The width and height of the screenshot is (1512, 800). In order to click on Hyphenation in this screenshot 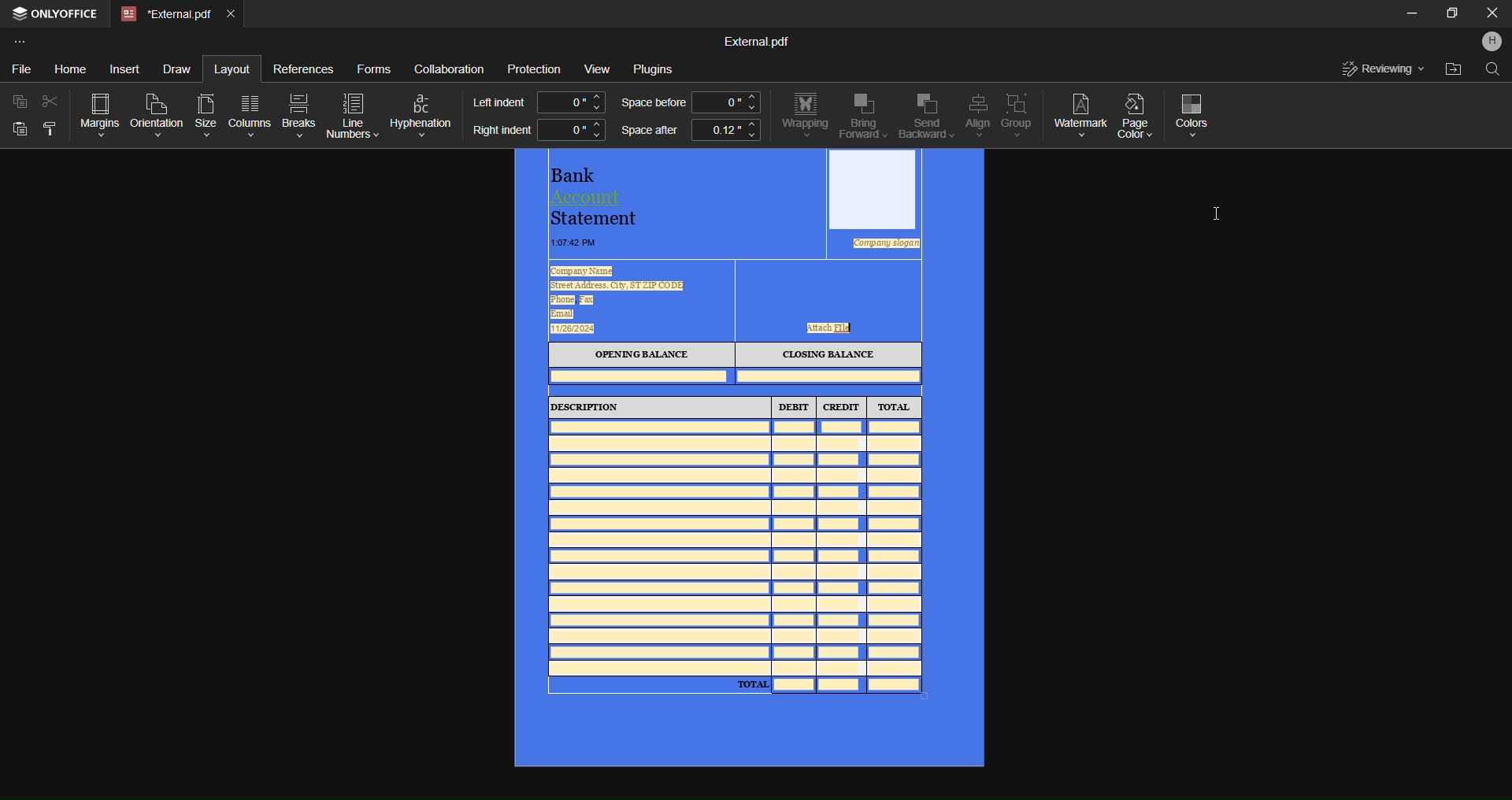, I will do `click(423, 112)`.